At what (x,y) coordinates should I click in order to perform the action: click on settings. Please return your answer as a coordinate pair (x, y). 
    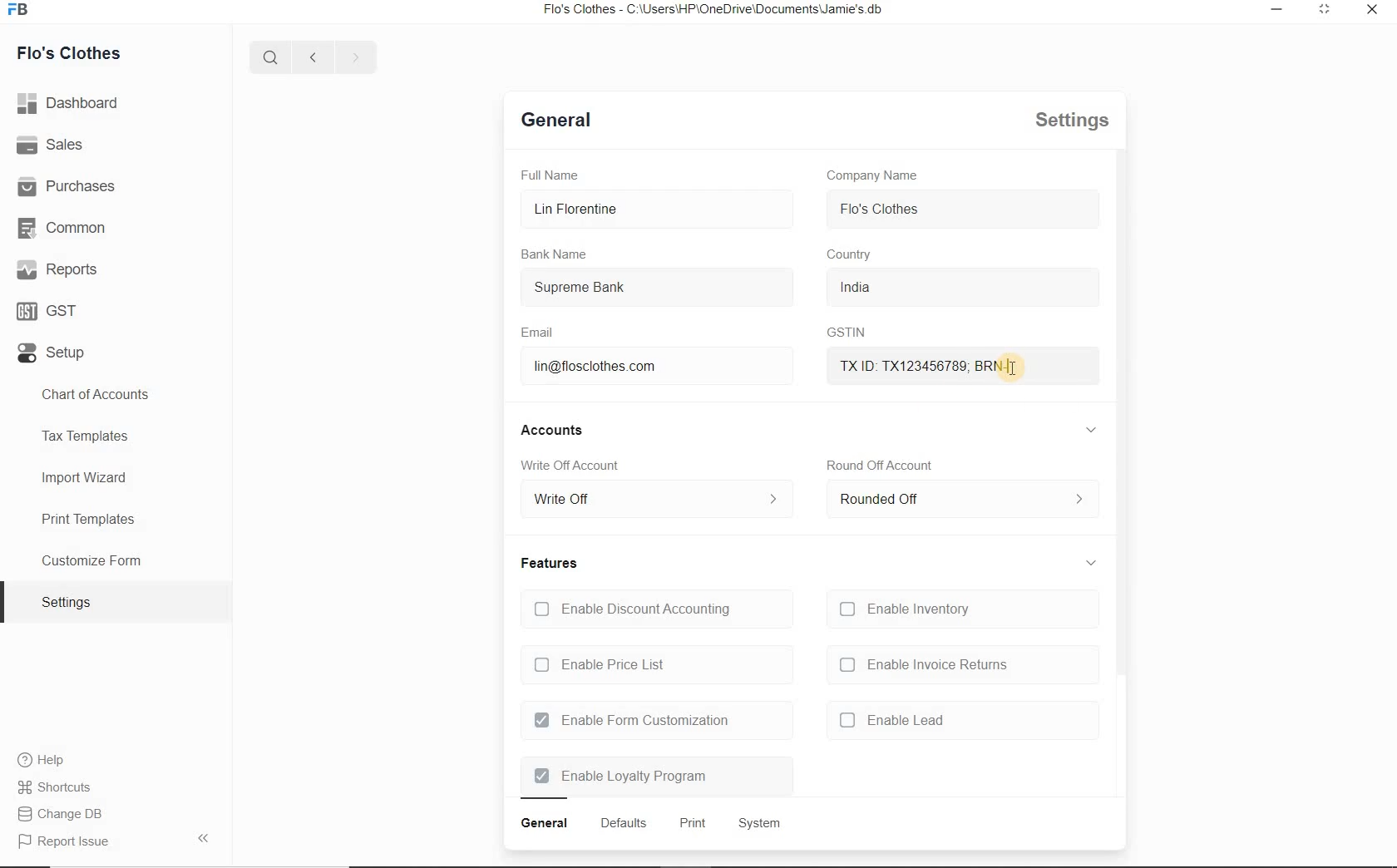
    Looking at the image, I should click on (1065, 121).